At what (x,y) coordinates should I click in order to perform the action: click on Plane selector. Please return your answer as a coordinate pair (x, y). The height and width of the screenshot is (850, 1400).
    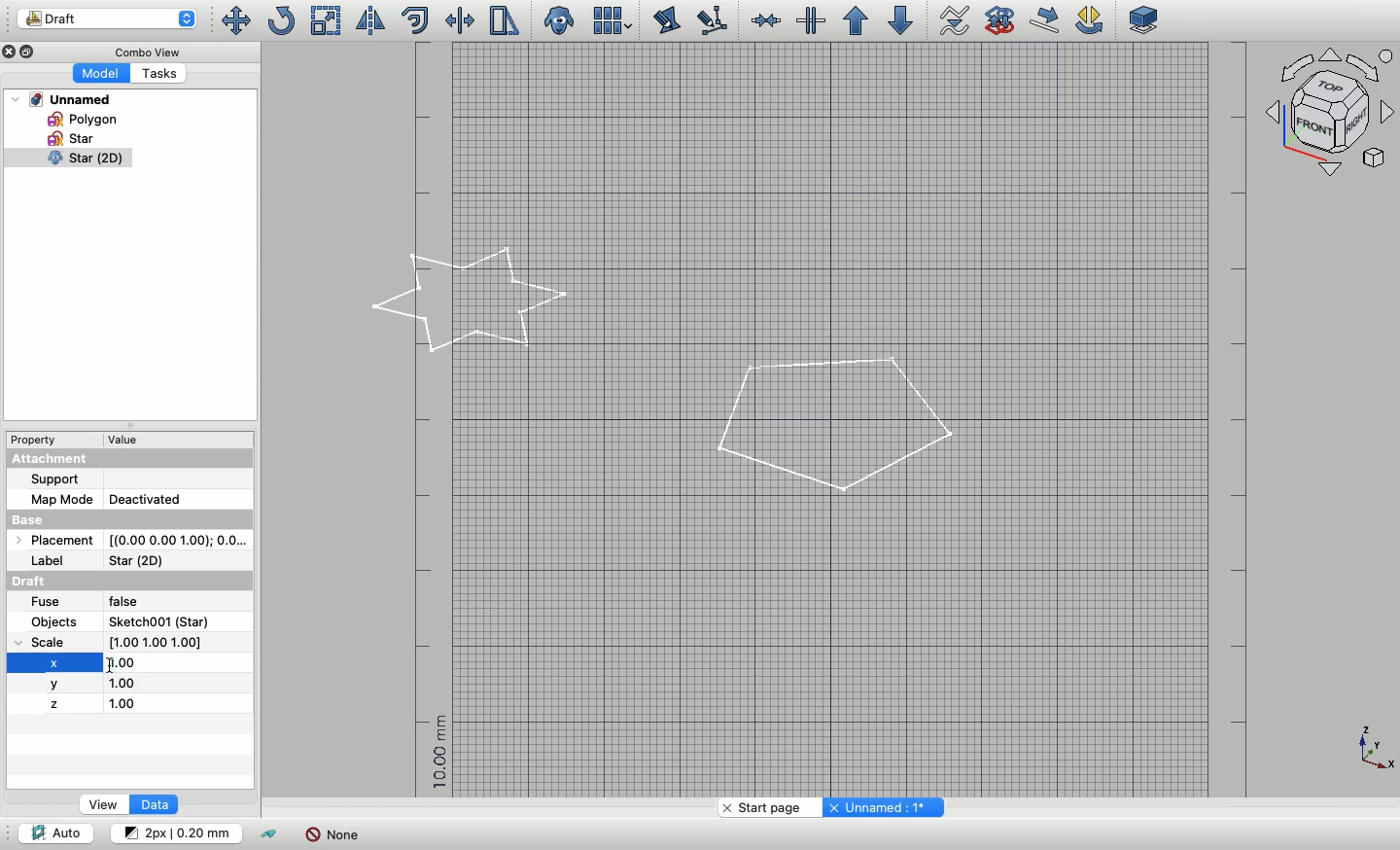
    Looking at the image, I should click on (1145, 19).